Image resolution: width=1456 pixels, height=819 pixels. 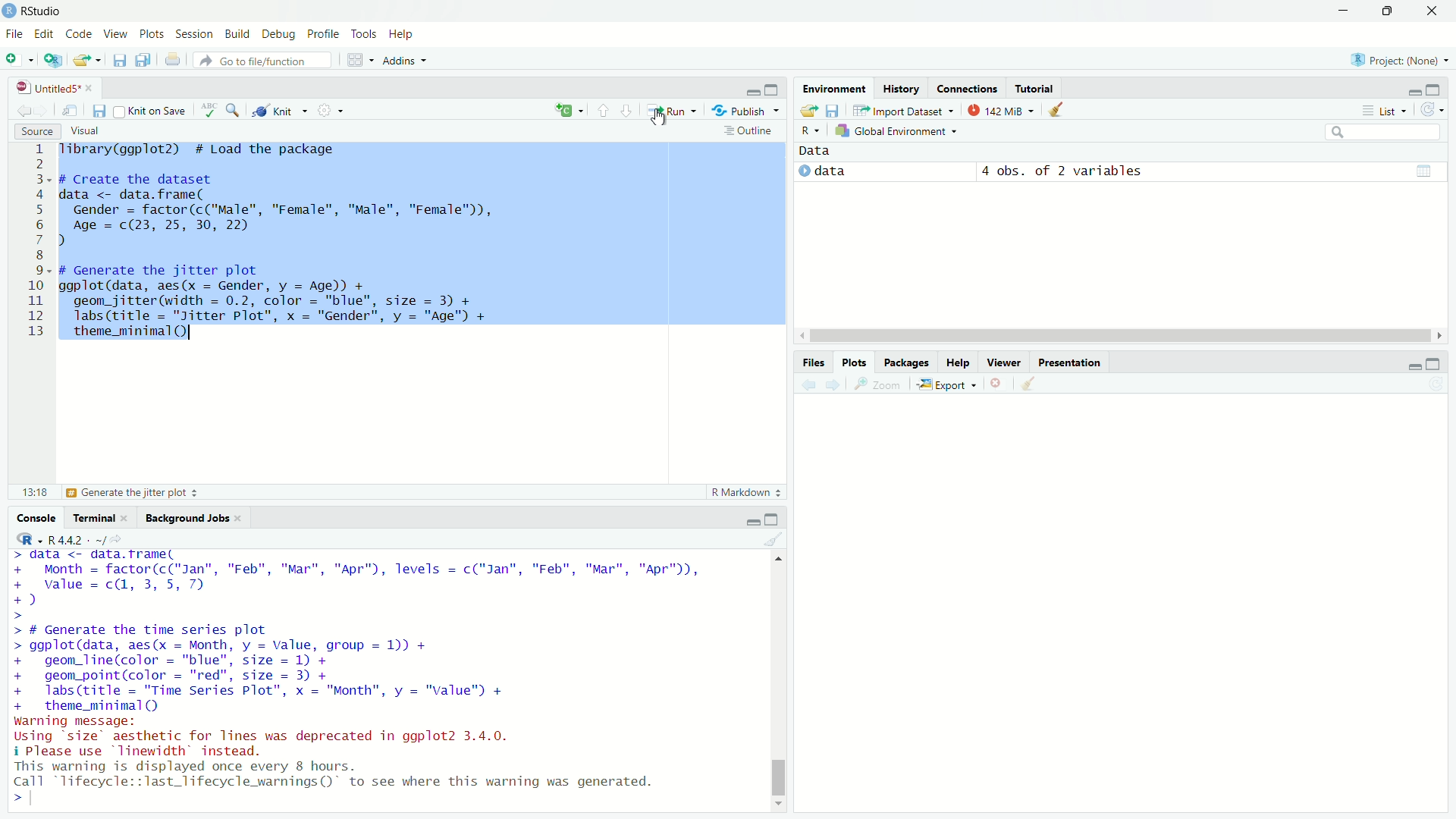 What do you see at coordinates (1130, 616) in the screenshot?
I see `empty plot area` at bounding box center [1130, 616].